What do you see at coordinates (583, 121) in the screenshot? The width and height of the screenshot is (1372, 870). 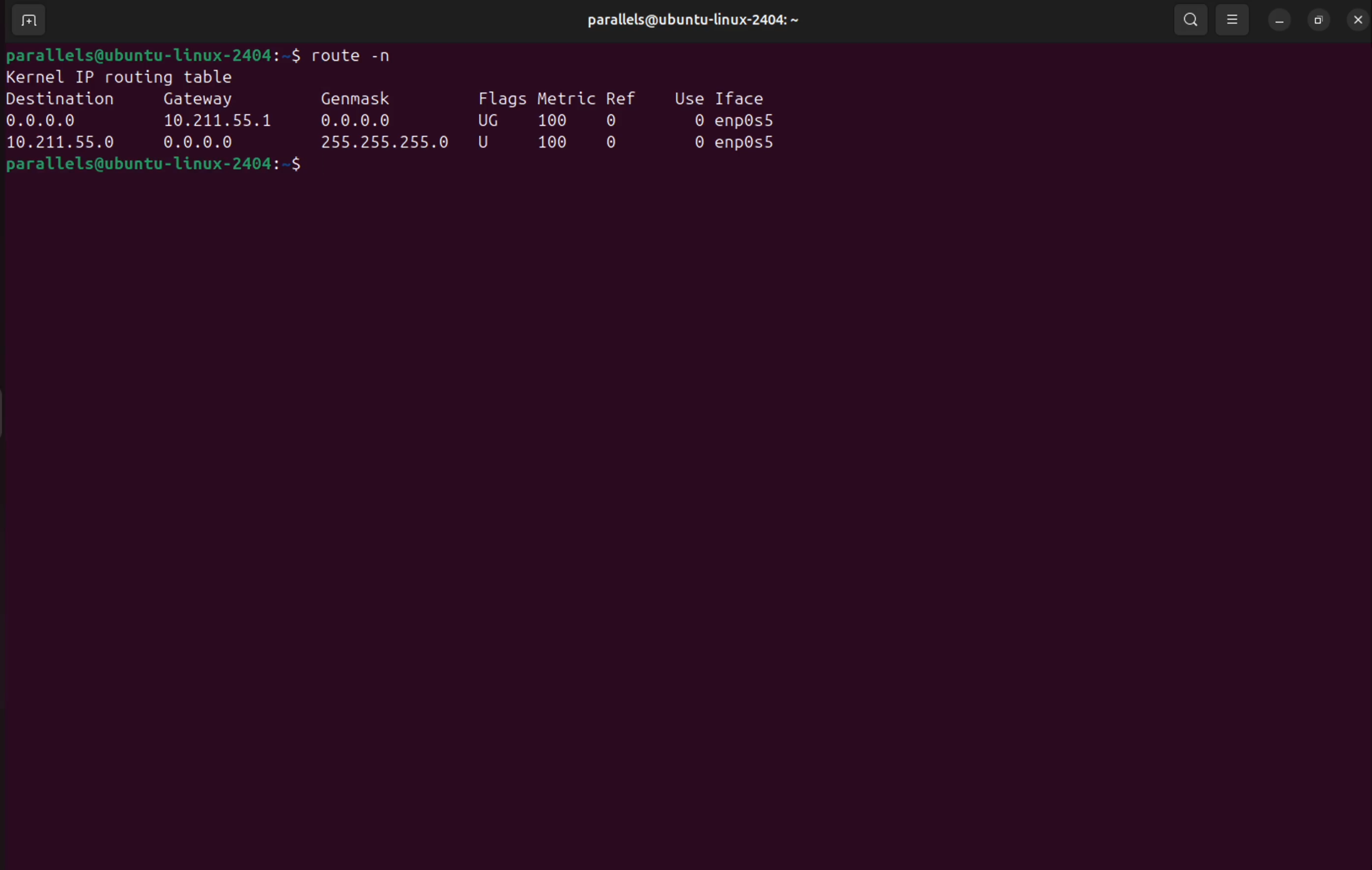 I see `100` at bounding box center [583, 121].